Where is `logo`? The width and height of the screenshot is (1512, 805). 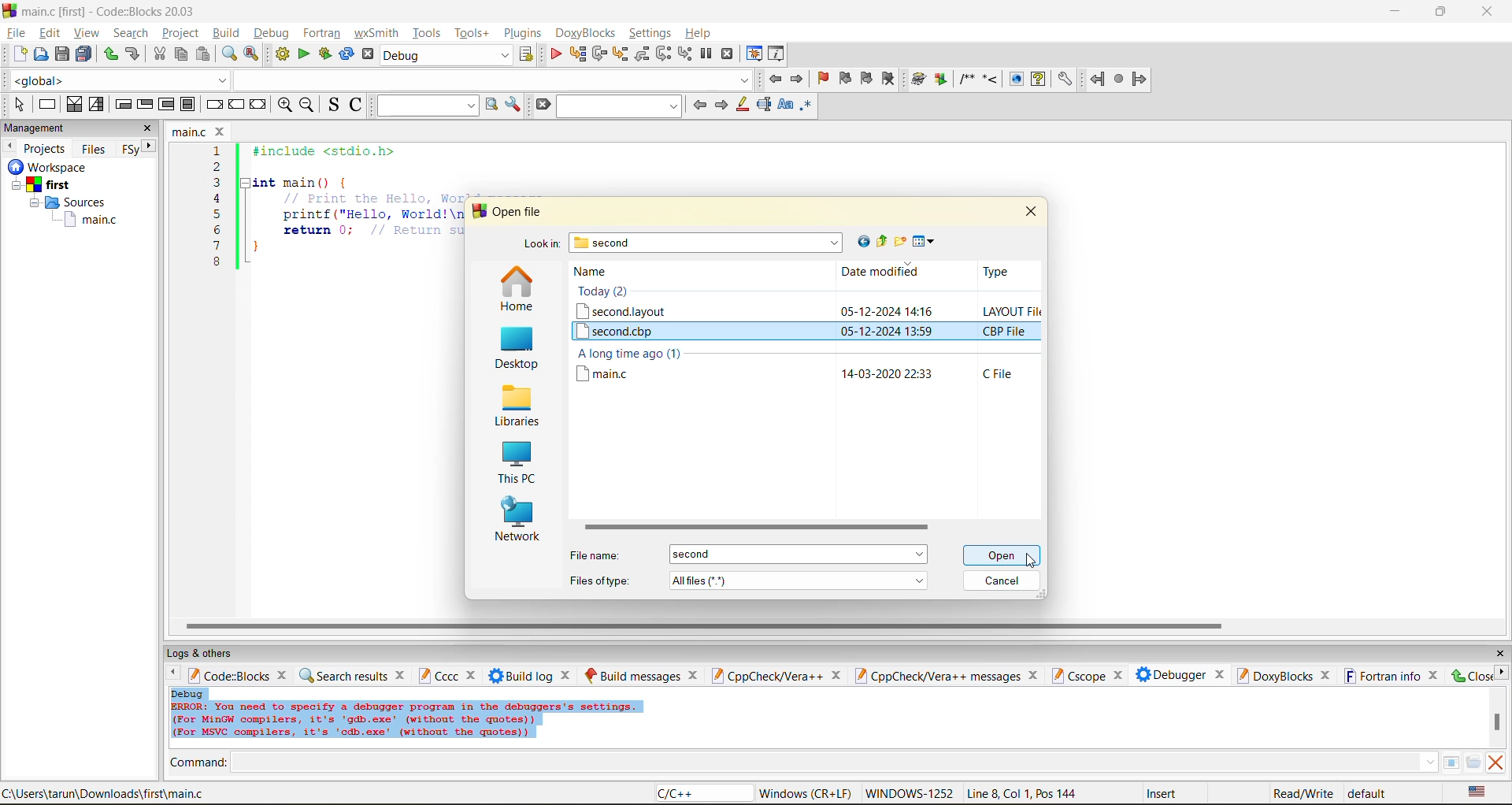
logo is located at coordinates (477, 211).